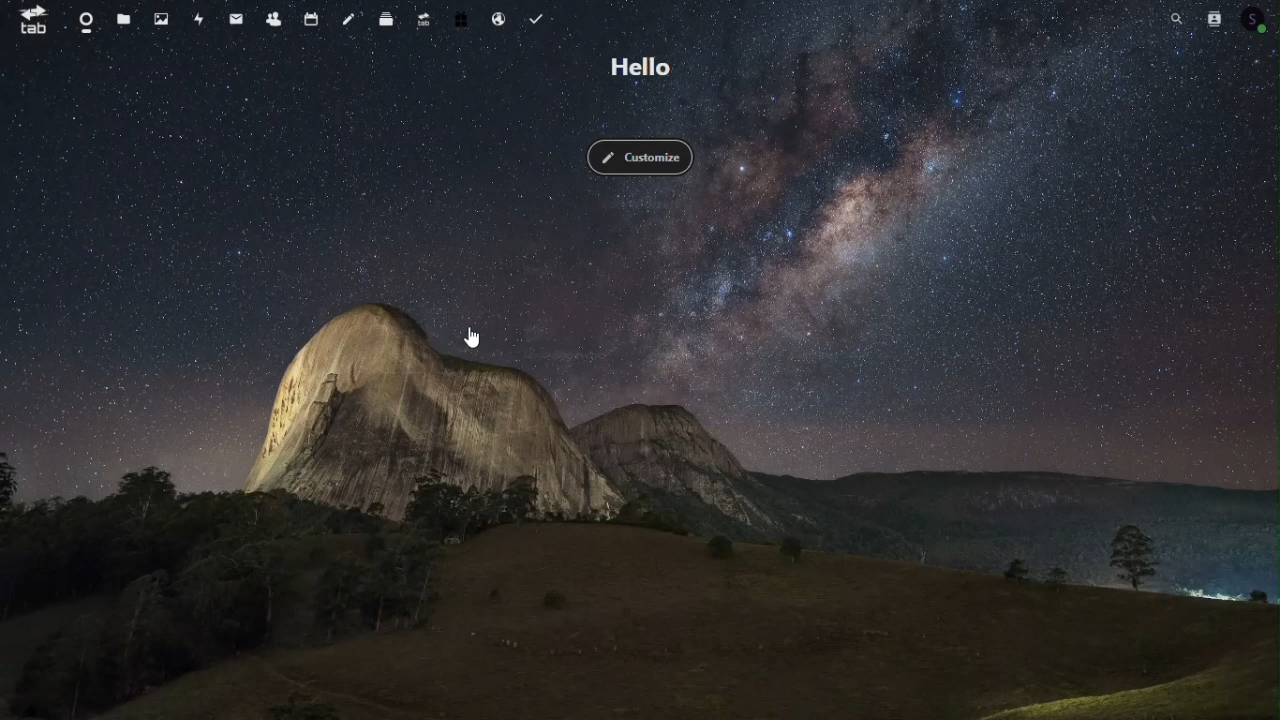 This screenshot has width=1280, height=720. What do you see at coordinates (1218, 17) in the screenshot?
I see `Contacts` at bounding box center [1218, 17].